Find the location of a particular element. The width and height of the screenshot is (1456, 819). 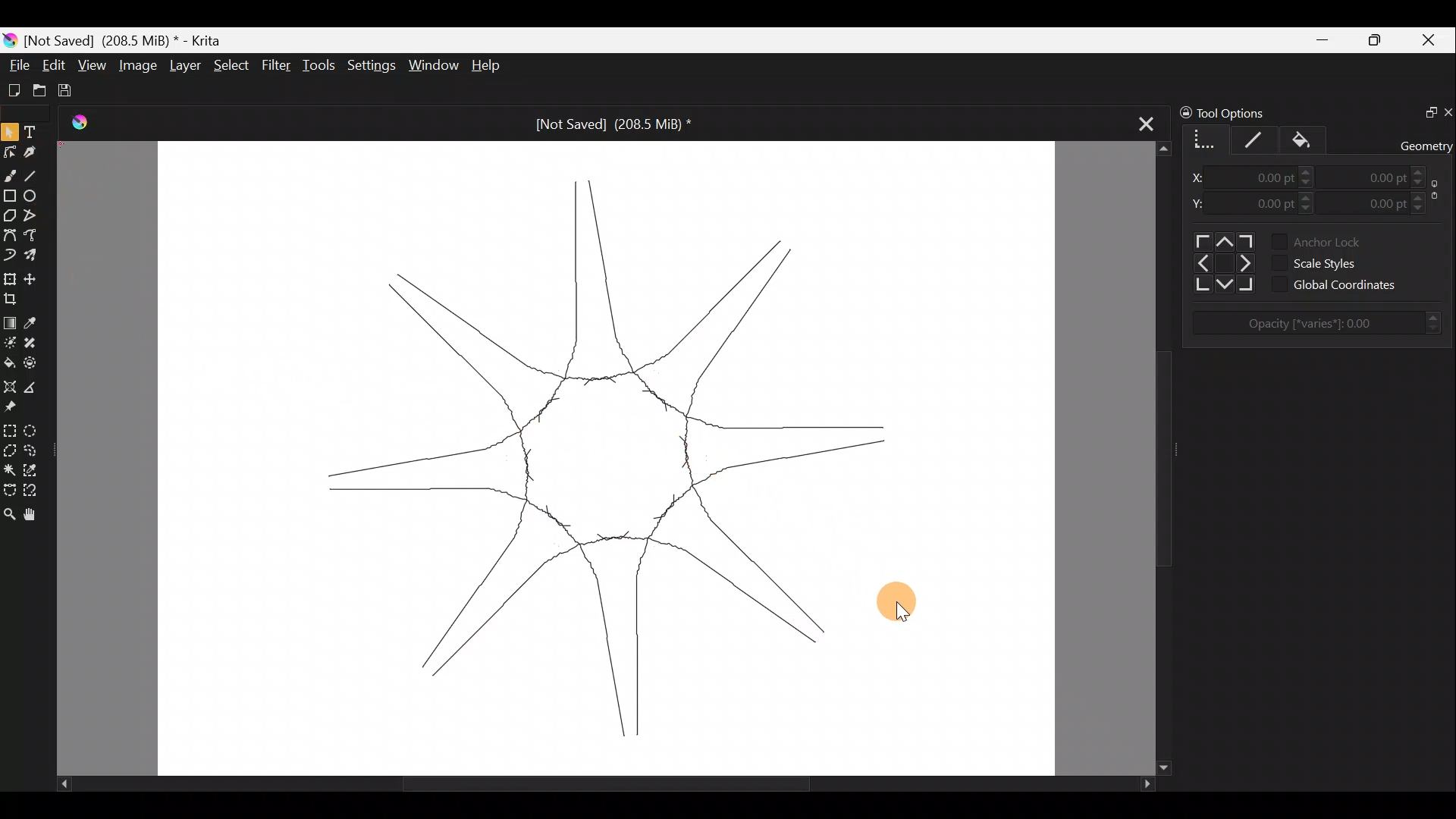

Polyline is located at coordinates (30, 216).